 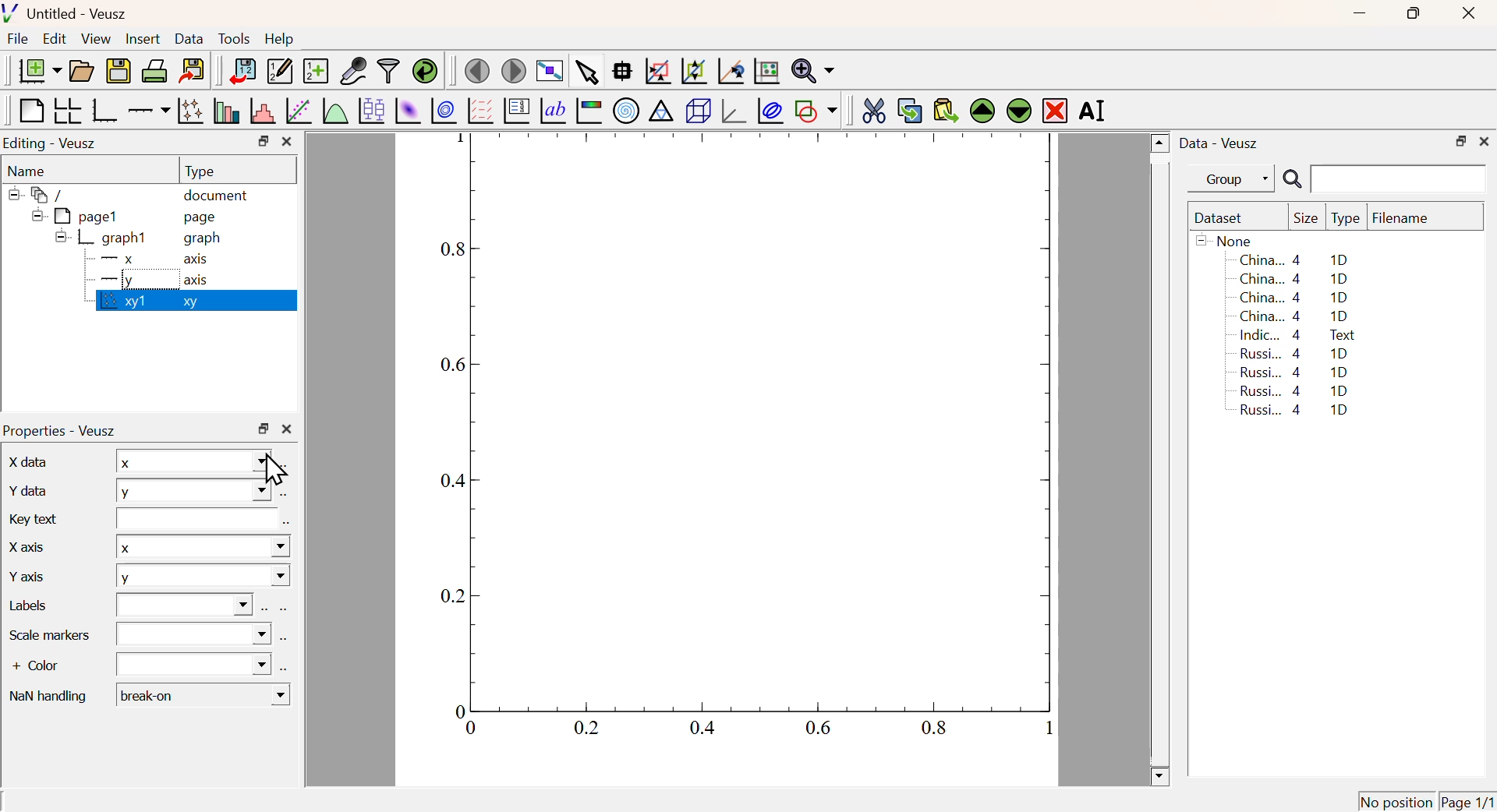 I want to click on View plot fullscreen, so click(x=547, y=72).